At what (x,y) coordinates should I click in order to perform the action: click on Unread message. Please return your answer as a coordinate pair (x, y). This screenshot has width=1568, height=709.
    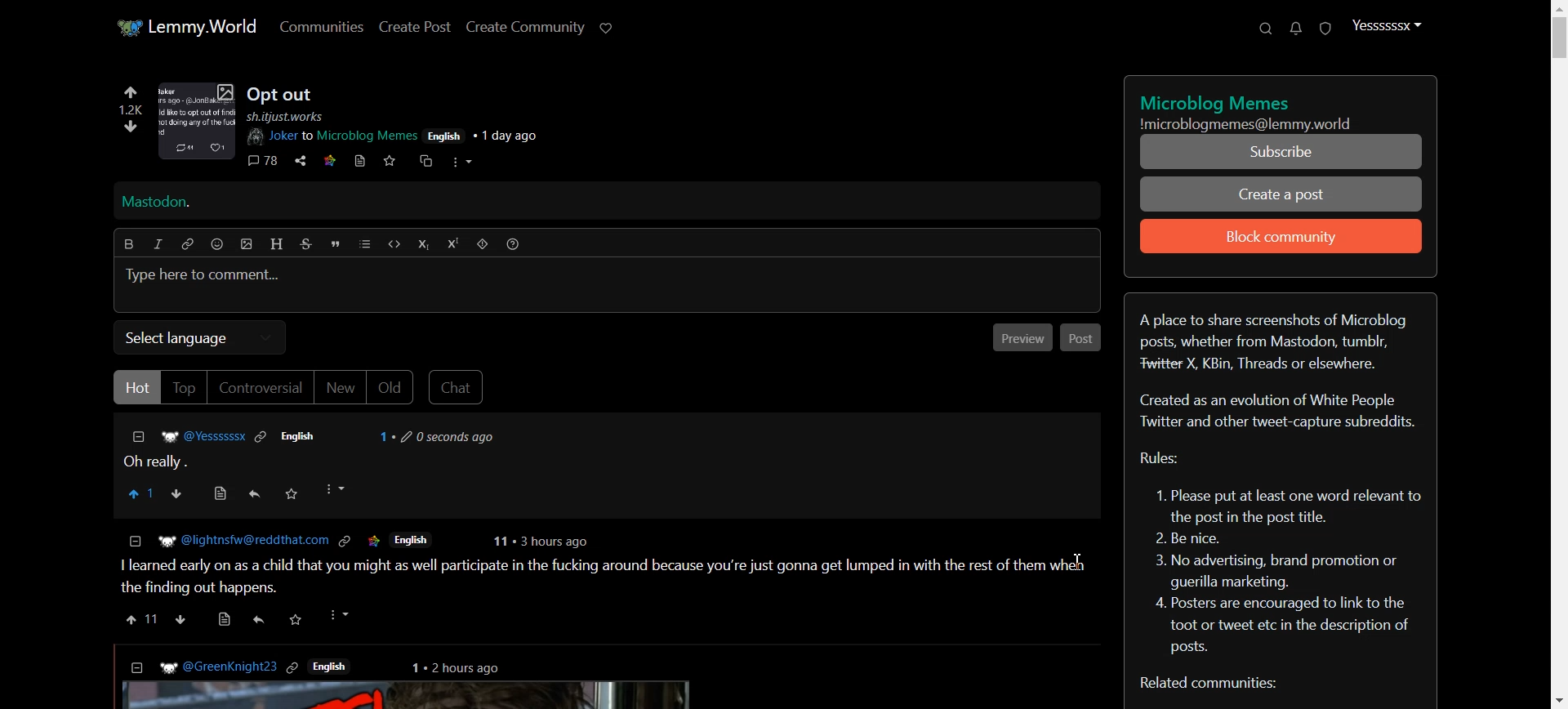
    Looking at the image, I should click on (1295, 29).